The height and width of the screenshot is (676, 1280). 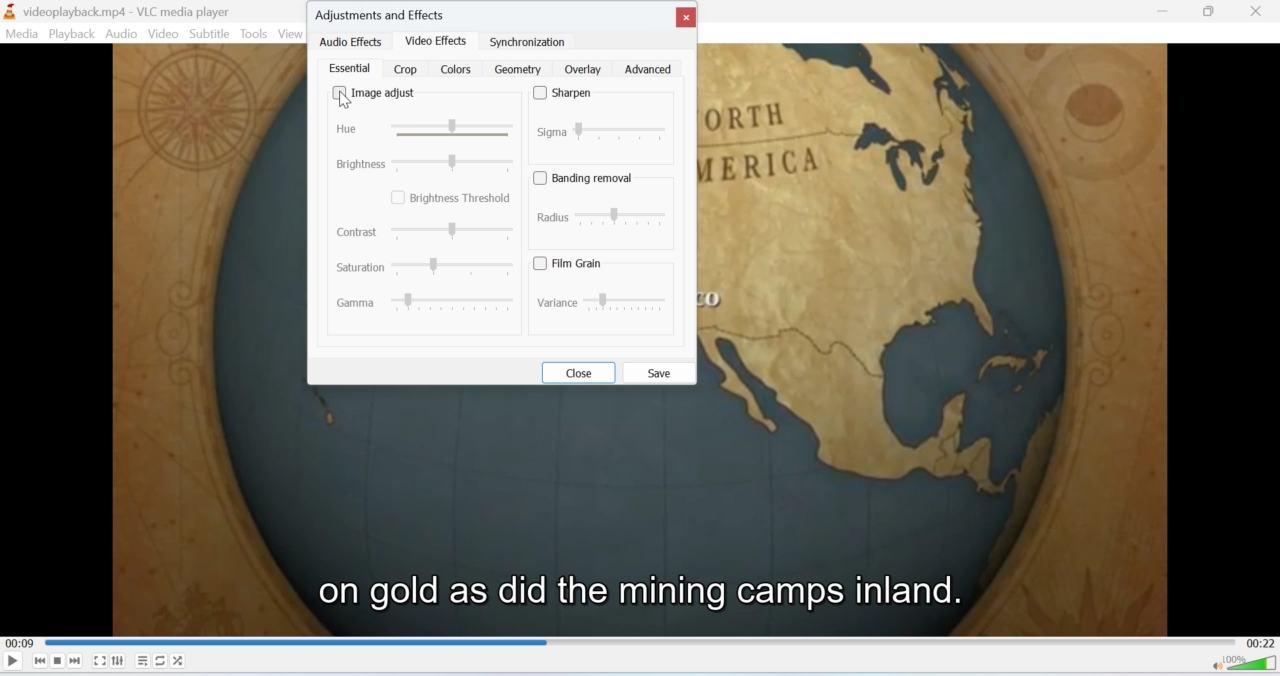 I want to click on cursor on image adjust, so click(x=343, y=100).